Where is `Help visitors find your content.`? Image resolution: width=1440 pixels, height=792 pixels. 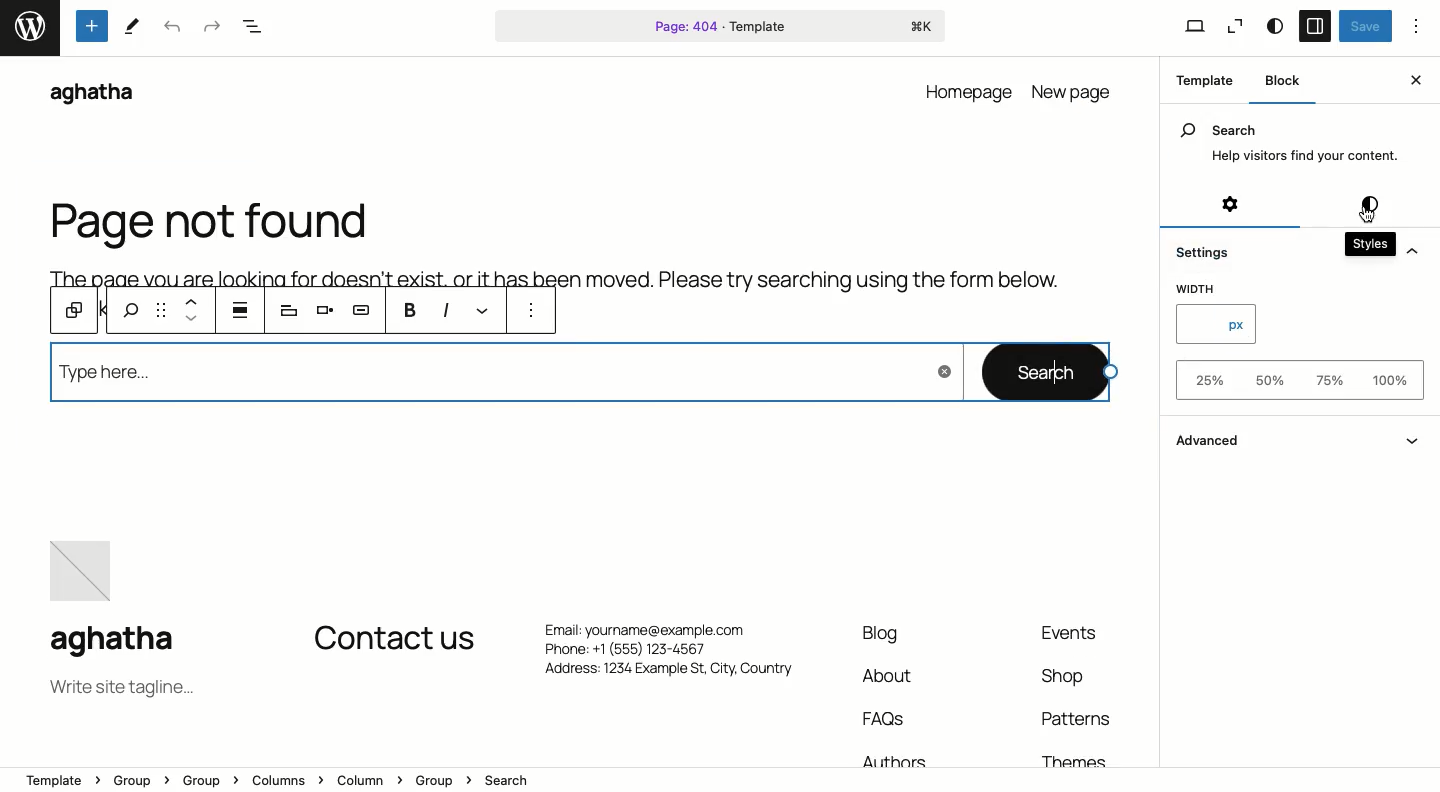
Help visitors find your content. is located at coordinates (1302, 157).